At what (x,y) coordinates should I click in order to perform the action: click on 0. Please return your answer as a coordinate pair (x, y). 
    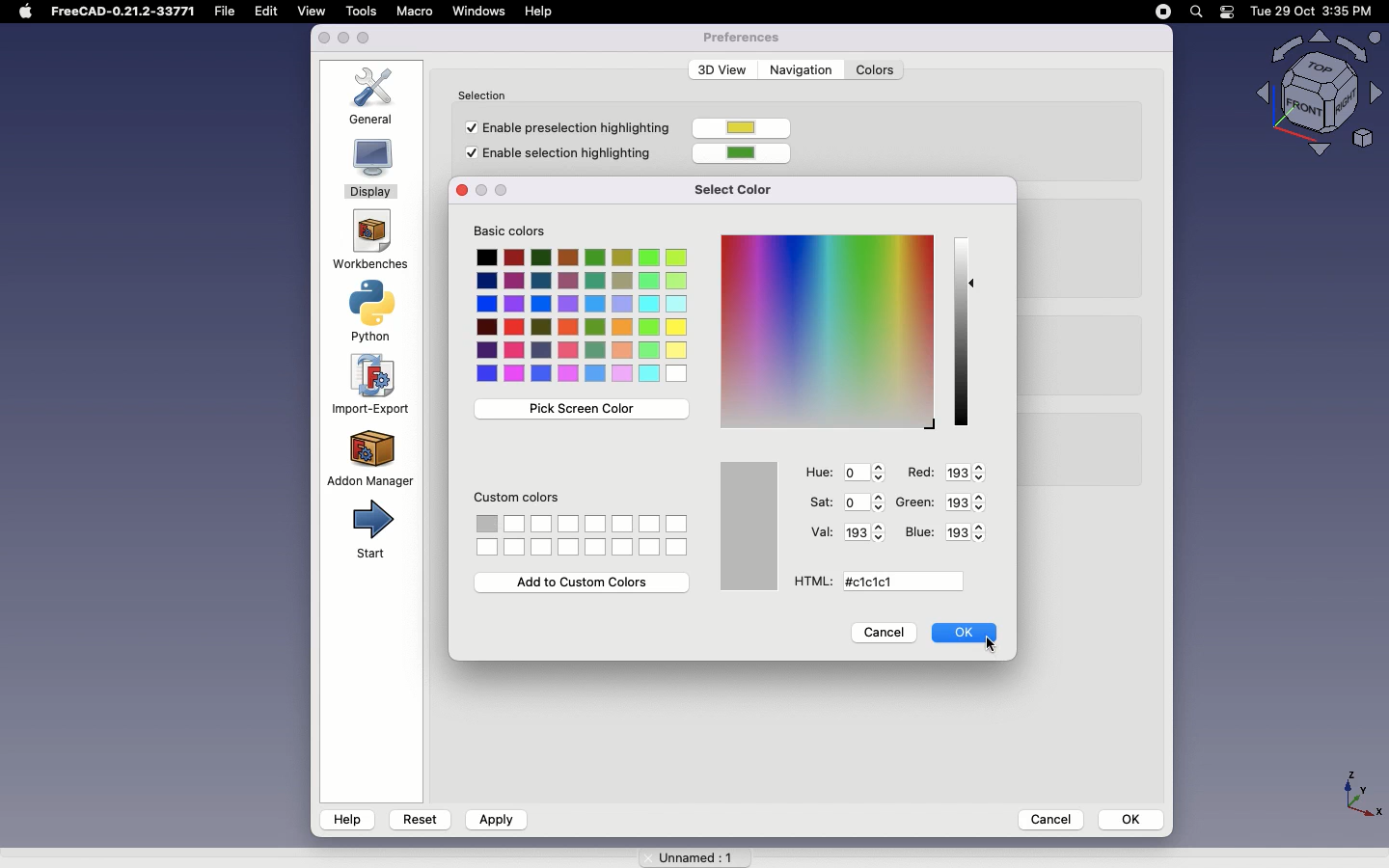
    Looking at the image, I should click on (862, 501).